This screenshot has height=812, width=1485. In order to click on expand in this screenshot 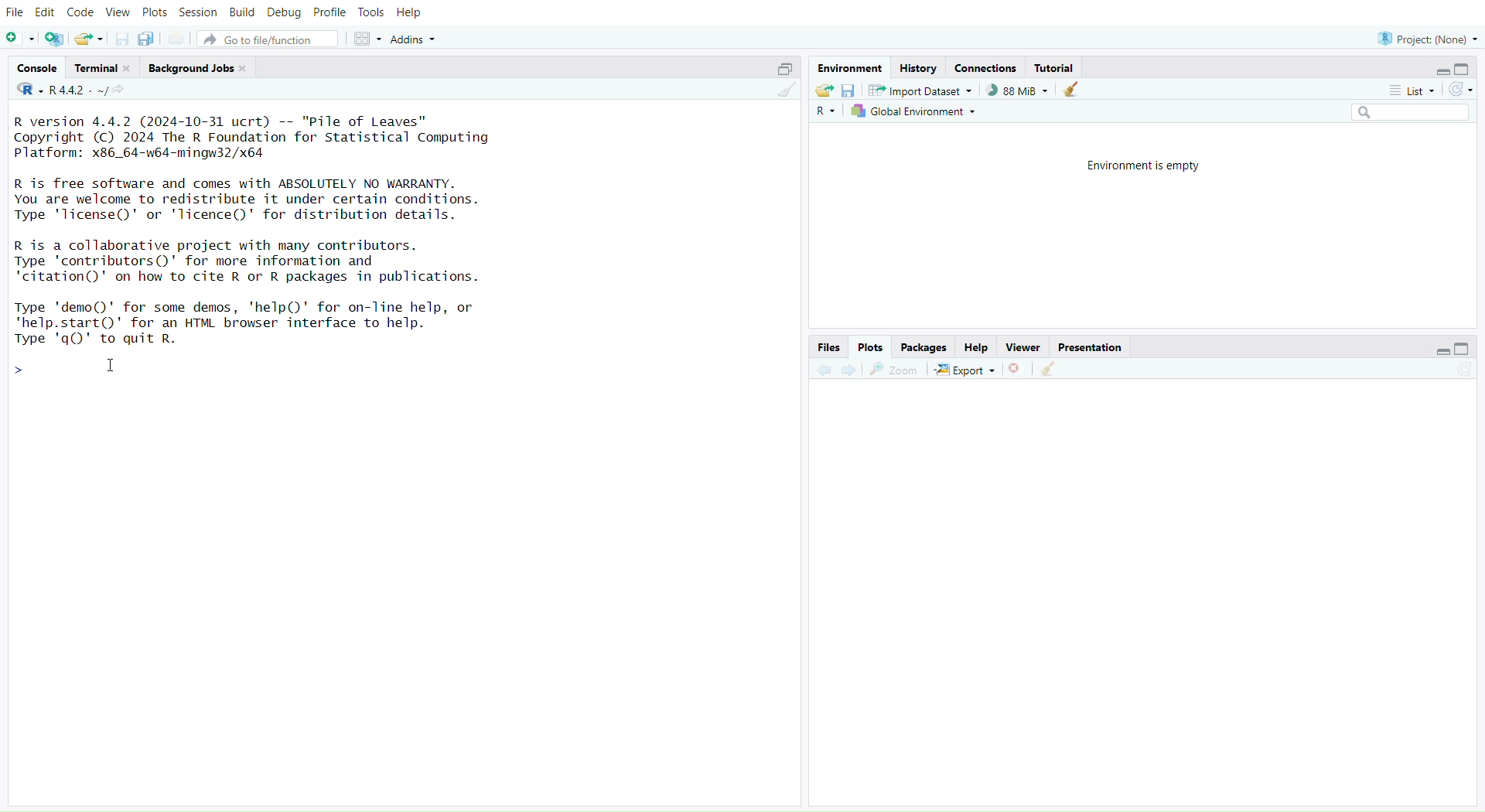, I will do `click(1441, 351)`.